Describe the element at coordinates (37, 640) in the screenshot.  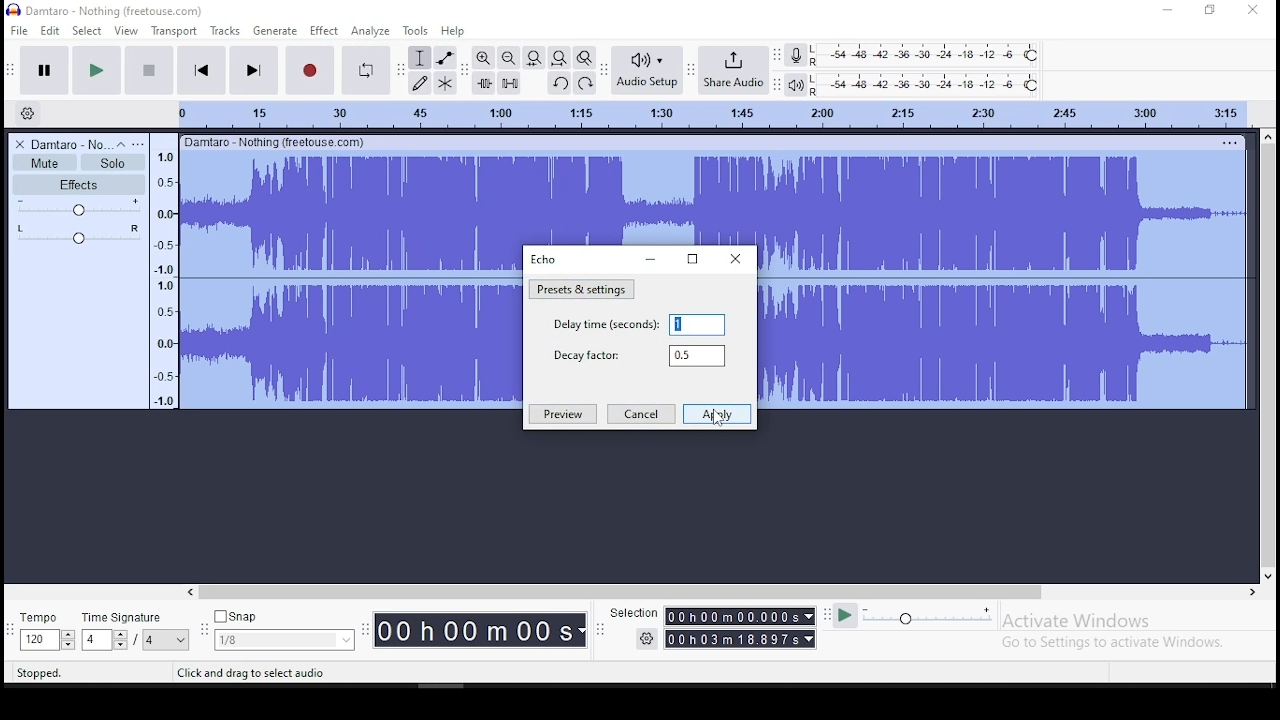
I see `120` at that location.